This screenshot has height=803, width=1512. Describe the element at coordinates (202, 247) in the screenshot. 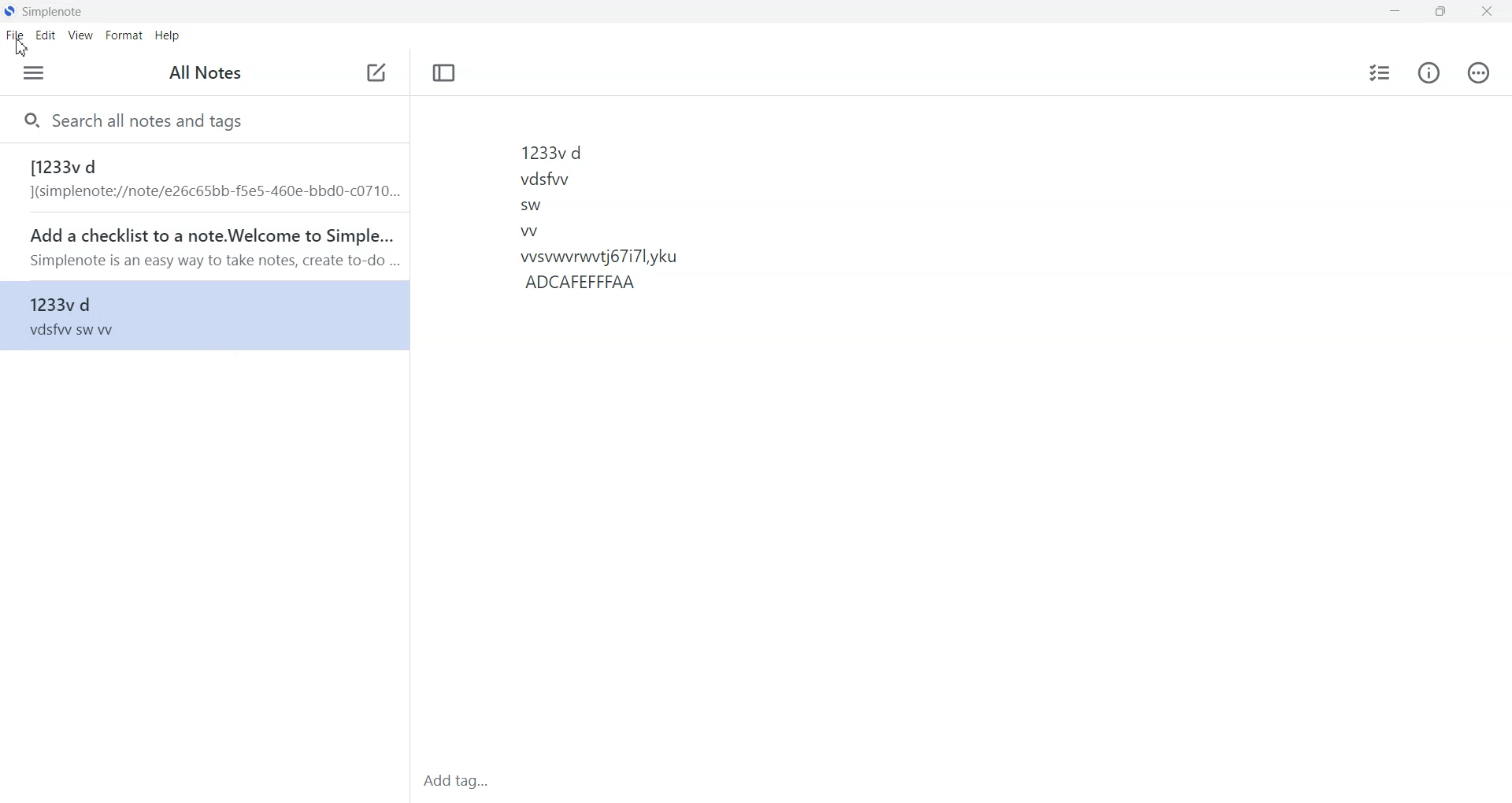

I see ` Add a checklist to a note. Welcome to Simple` at that location.